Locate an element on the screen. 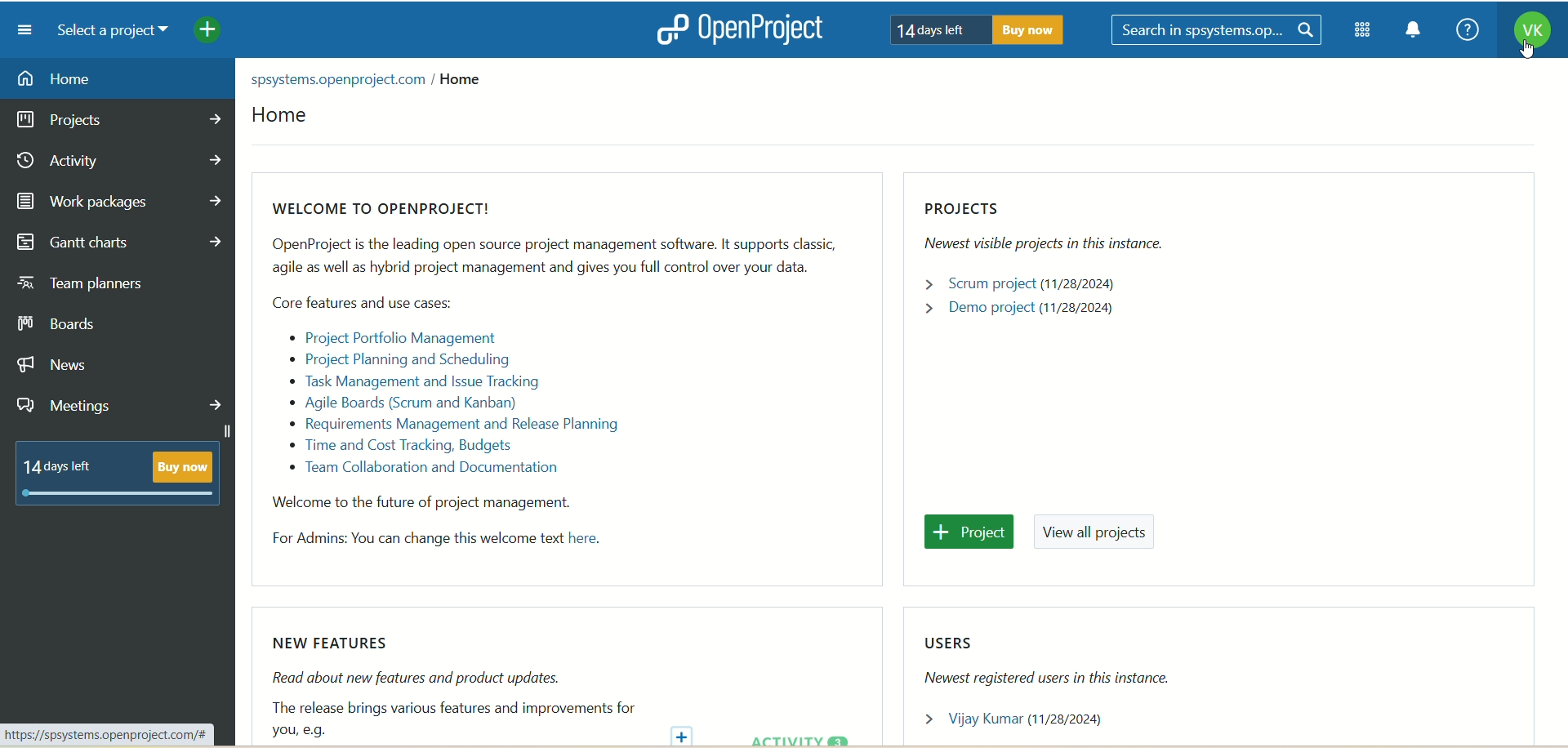  add is located at coordinates (686, 734).